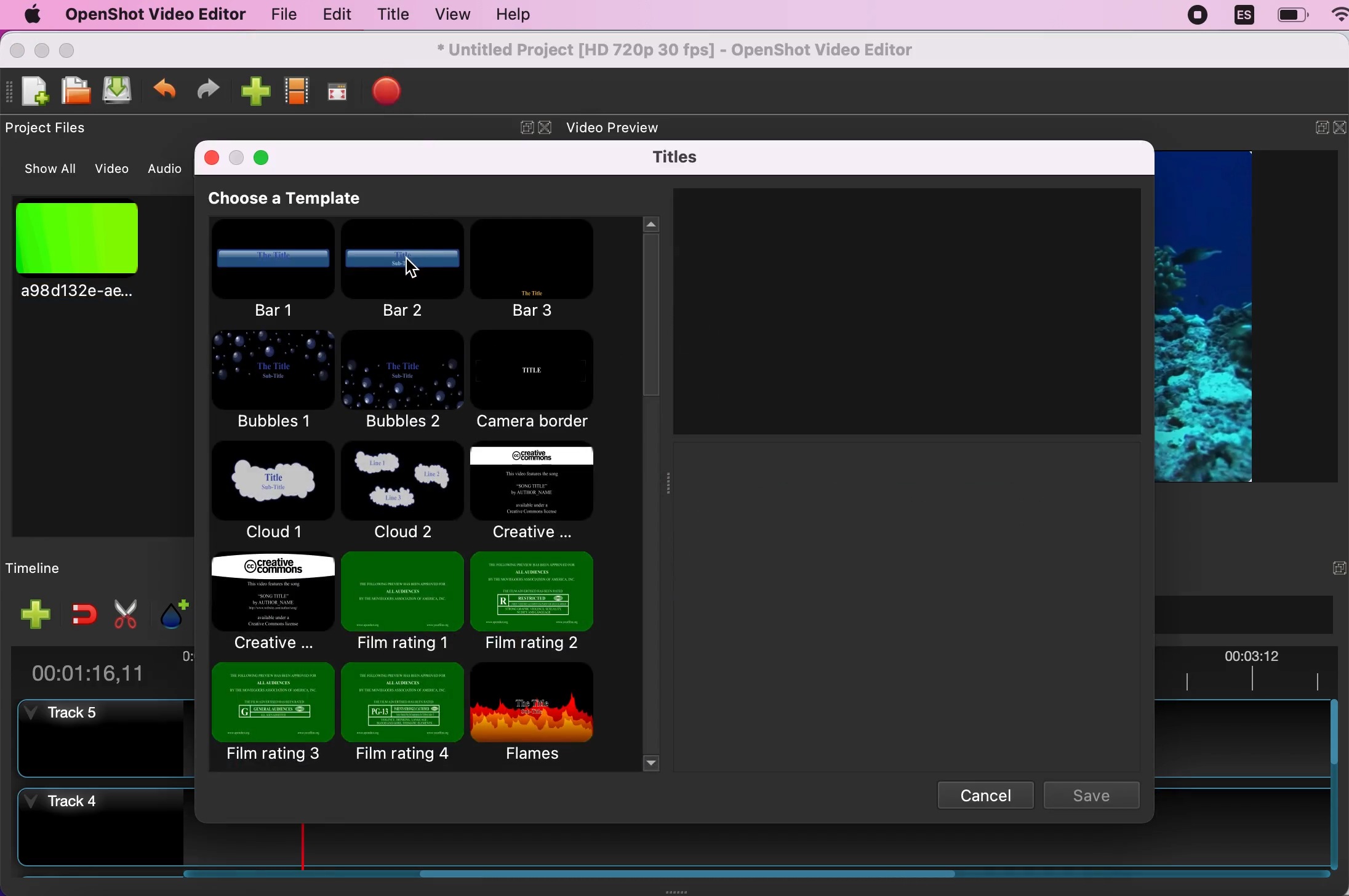  Describe the element at coordinates (402, 714) in the screenshot. I see `film rating 4` at that location.